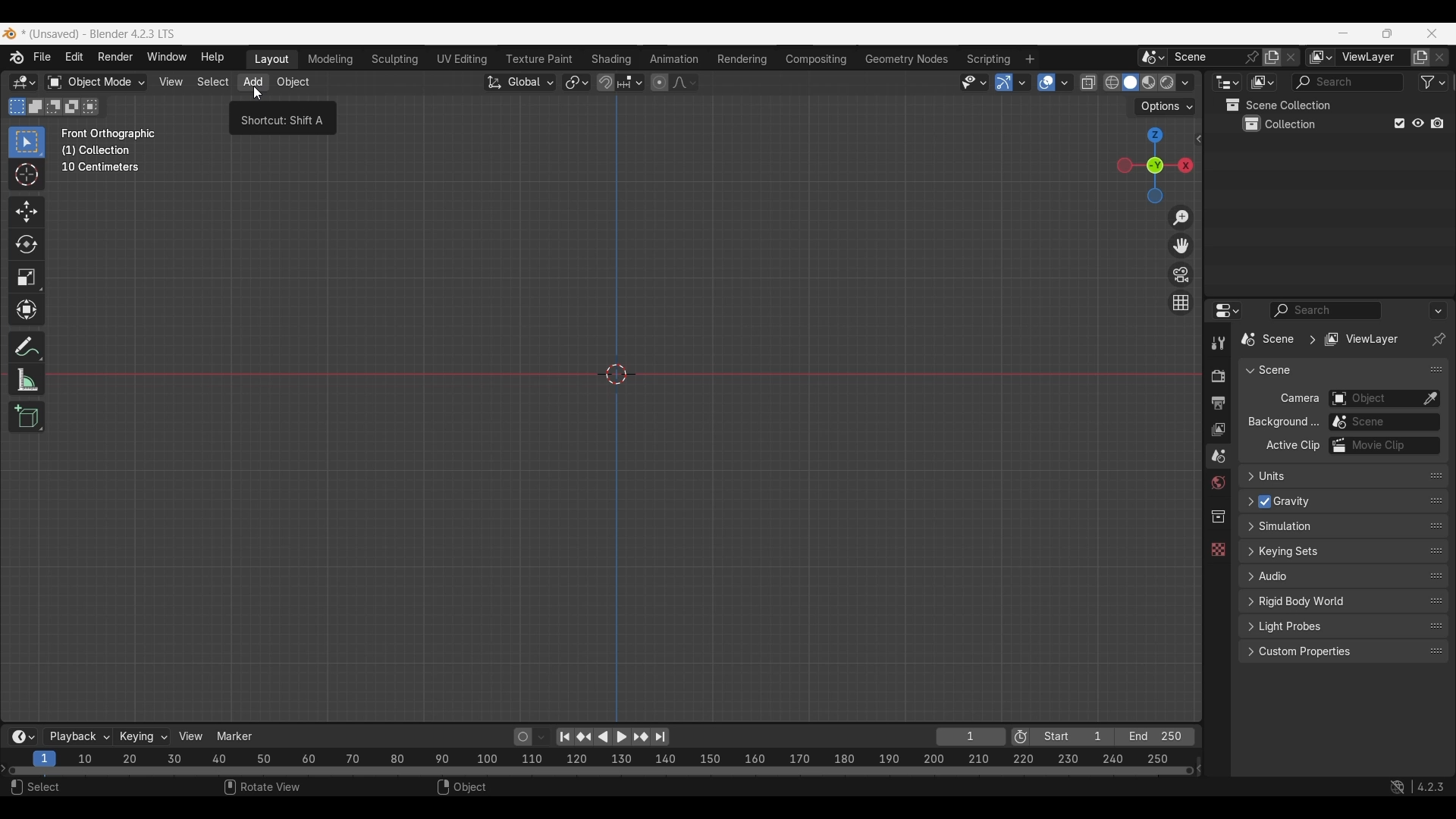 Image resolution: width=1456 pixels, height=819 pixels. Describe the element at coordinates (1436, 576) in the screenshot. I see `Change order in the list` at that location.